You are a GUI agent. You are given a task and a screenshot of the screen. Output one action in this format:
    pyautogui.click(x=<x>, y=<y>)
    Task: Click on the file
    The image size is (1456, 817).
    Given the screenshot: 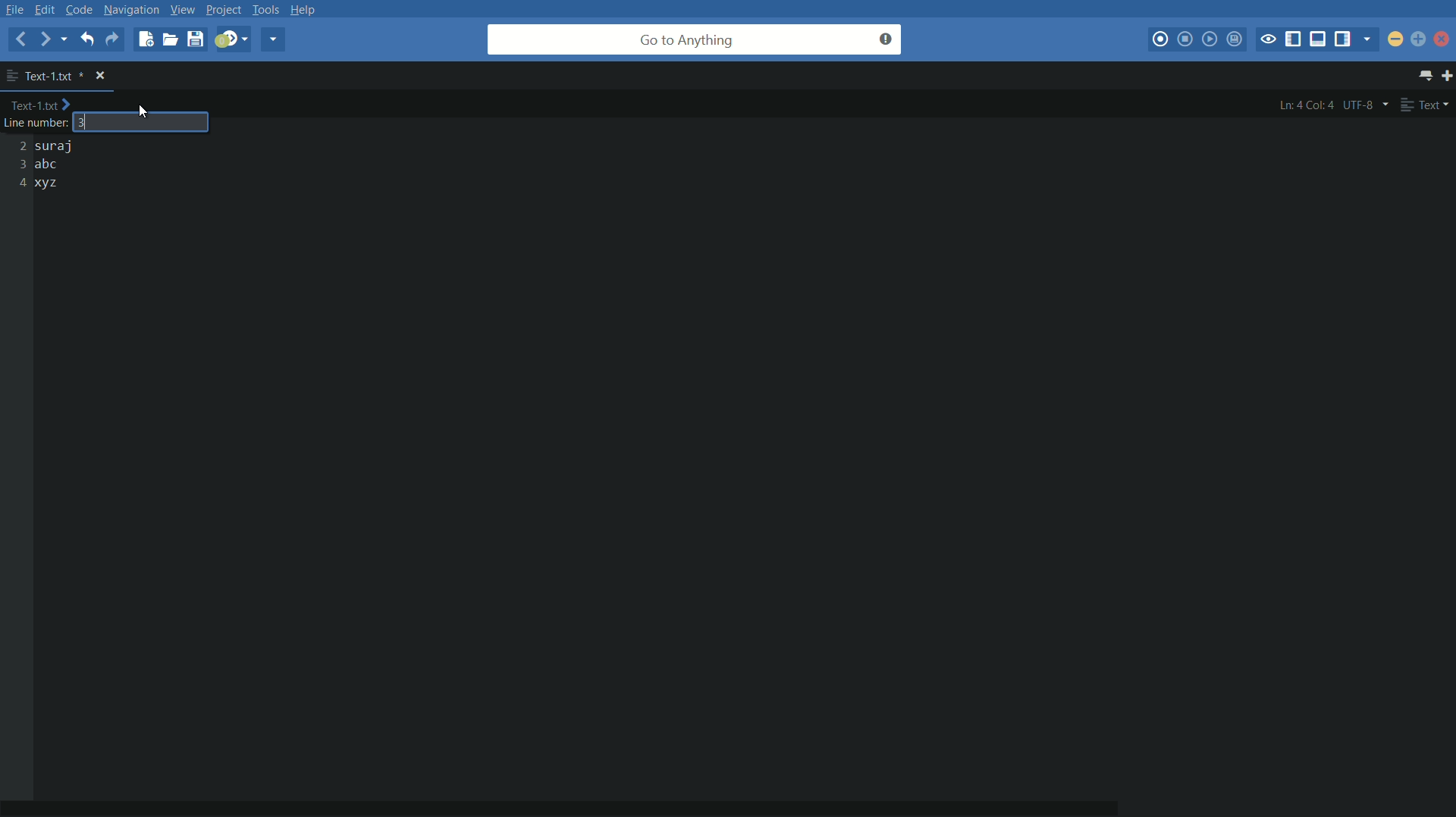 What is the action you would take?
    pyautogui.click(x=15, y=9)
    